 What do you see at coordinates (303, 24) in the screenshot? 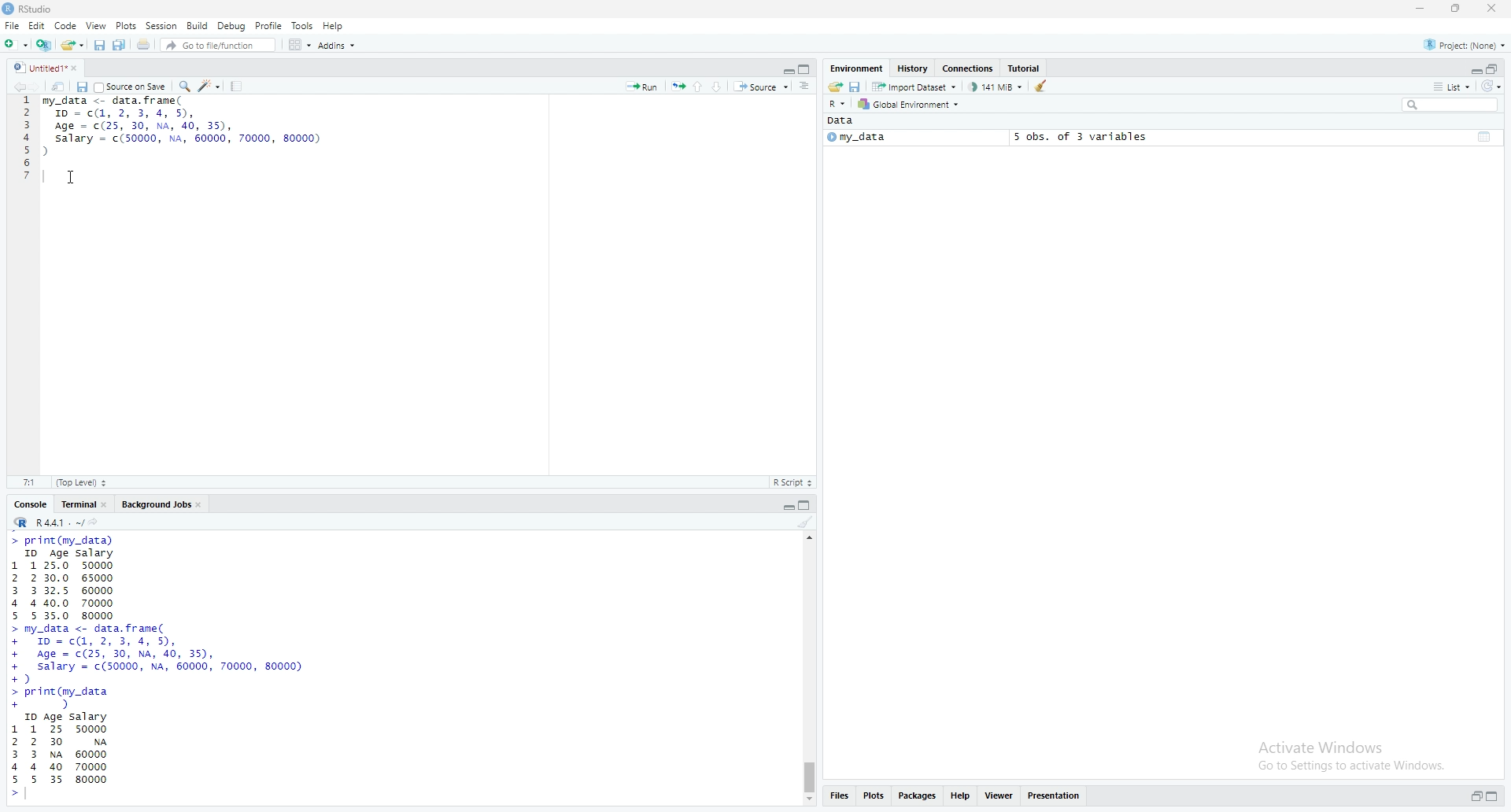
I see `Tools` at bounding box center [303, 24].